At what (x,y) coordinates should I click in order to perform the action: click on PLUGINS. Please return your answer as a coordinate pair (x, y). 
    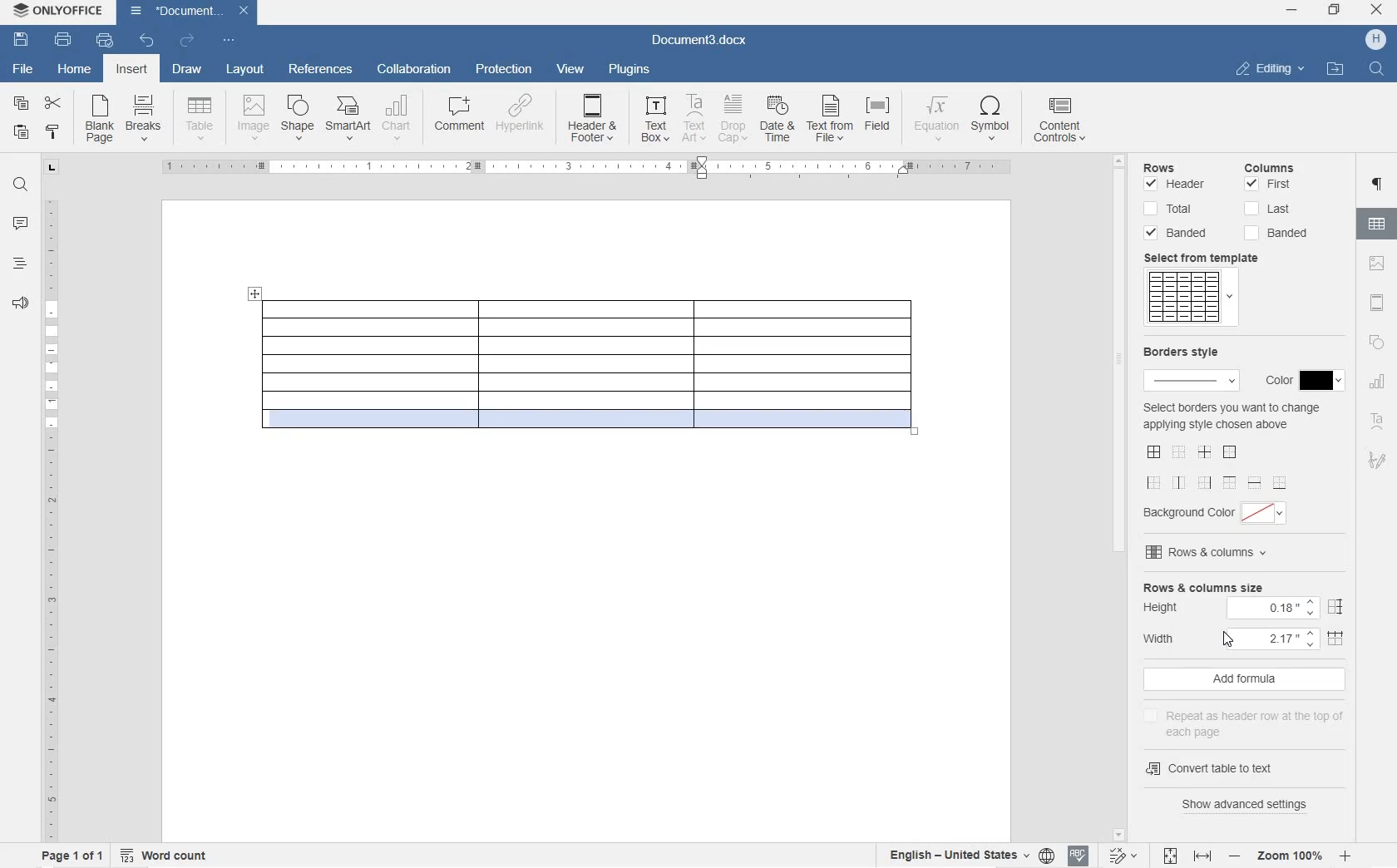
    Looking at the image, I should click on (630, 70).